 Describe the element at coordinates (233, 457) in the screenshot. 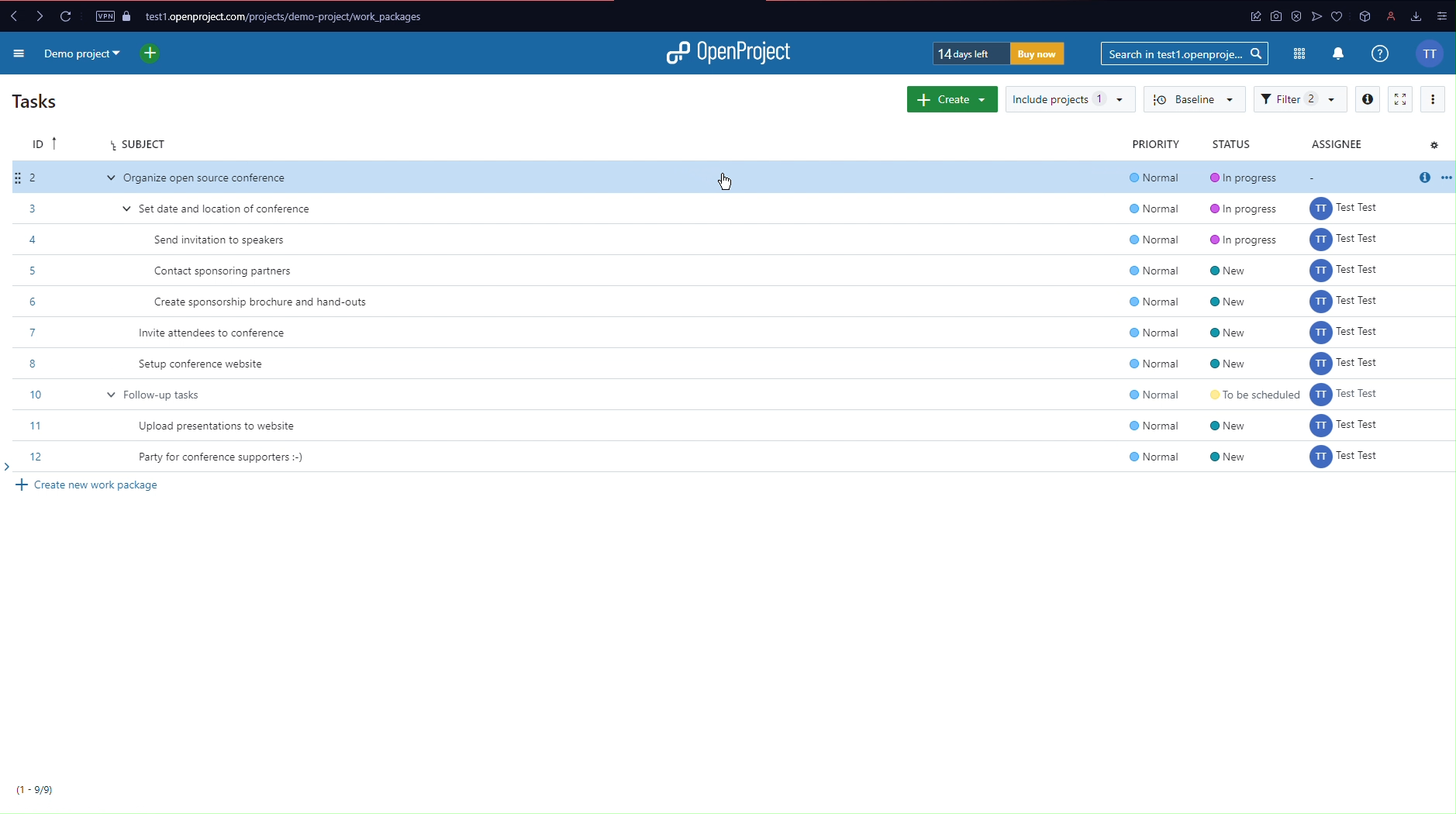

I see `Party for conference supporters :-)` at that location.